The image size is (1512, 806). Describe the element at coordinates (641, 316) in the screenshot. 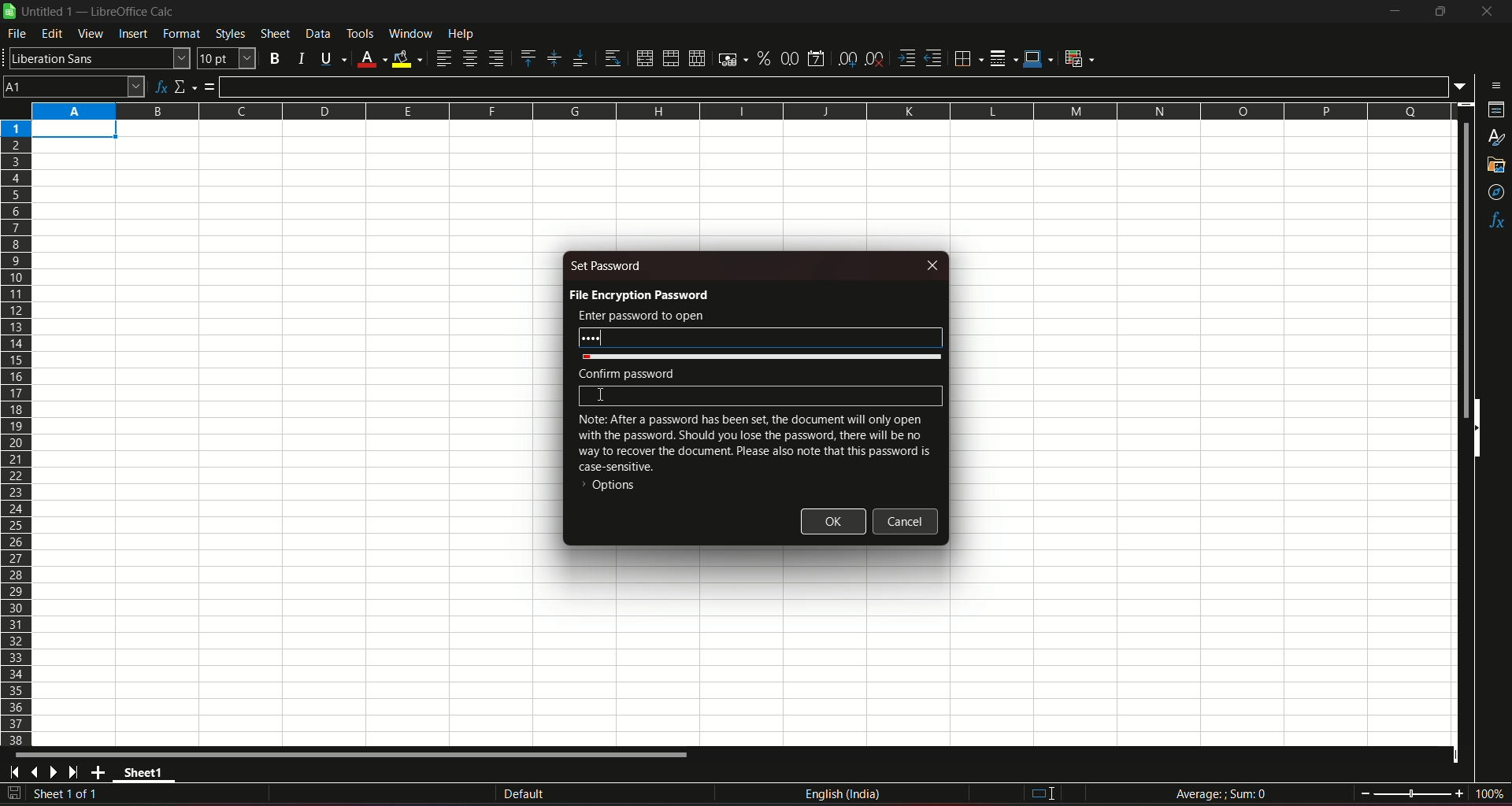

I see `enter password to open` at that location.